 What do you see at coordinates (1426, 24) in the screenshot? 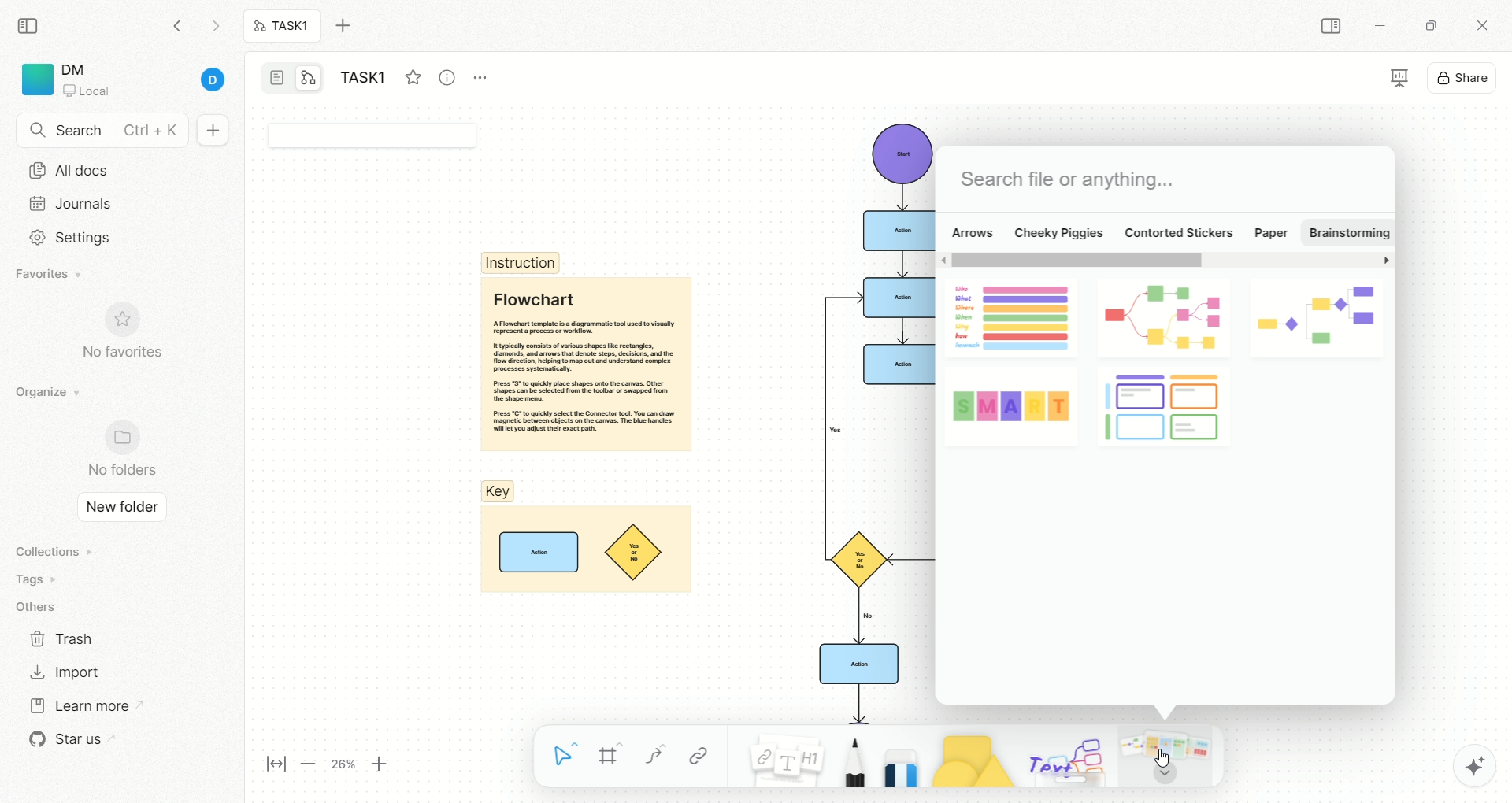
I see `maximize` at bounding box center [1426, 24].